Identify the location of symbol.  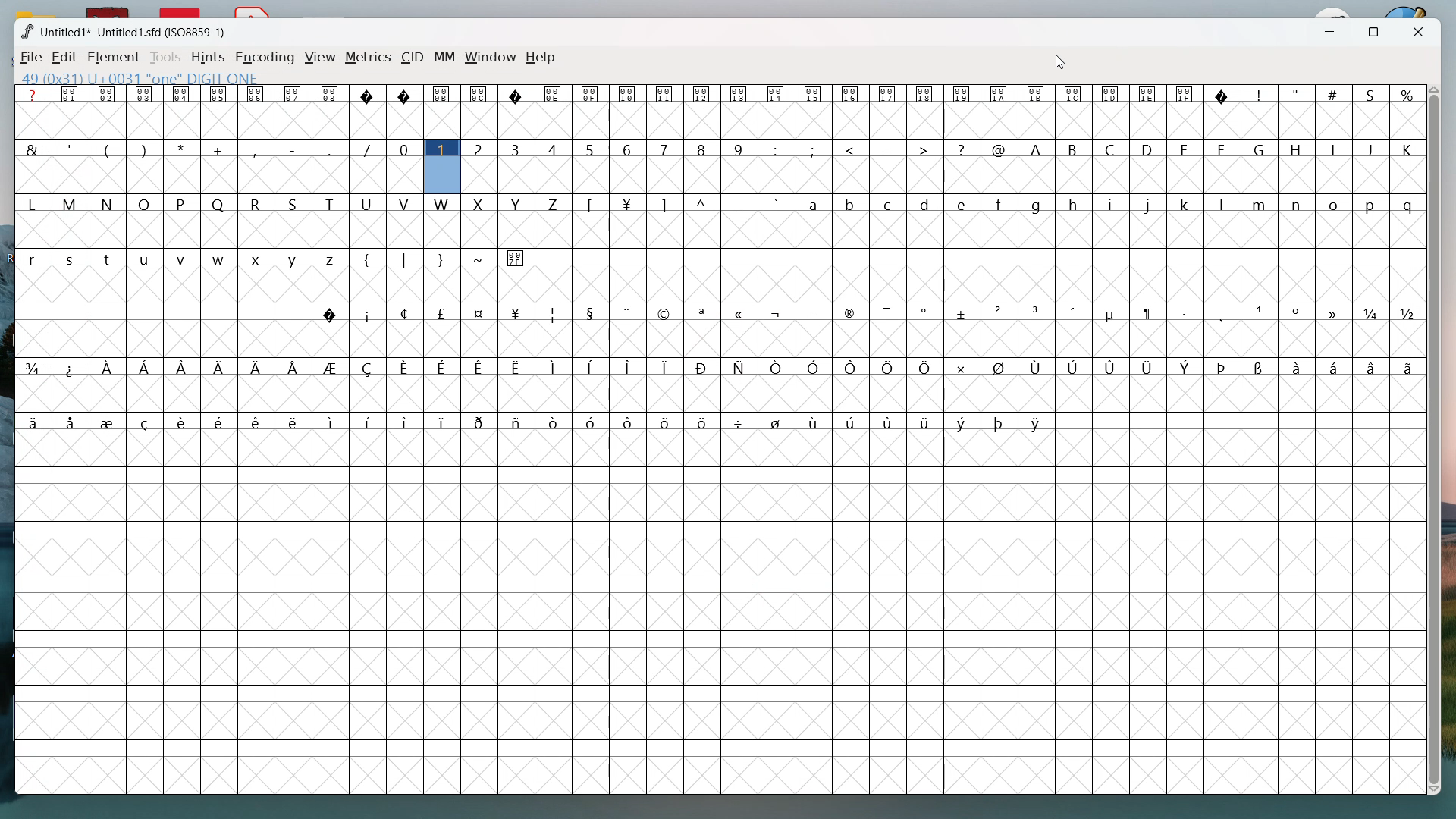
(220, 422).